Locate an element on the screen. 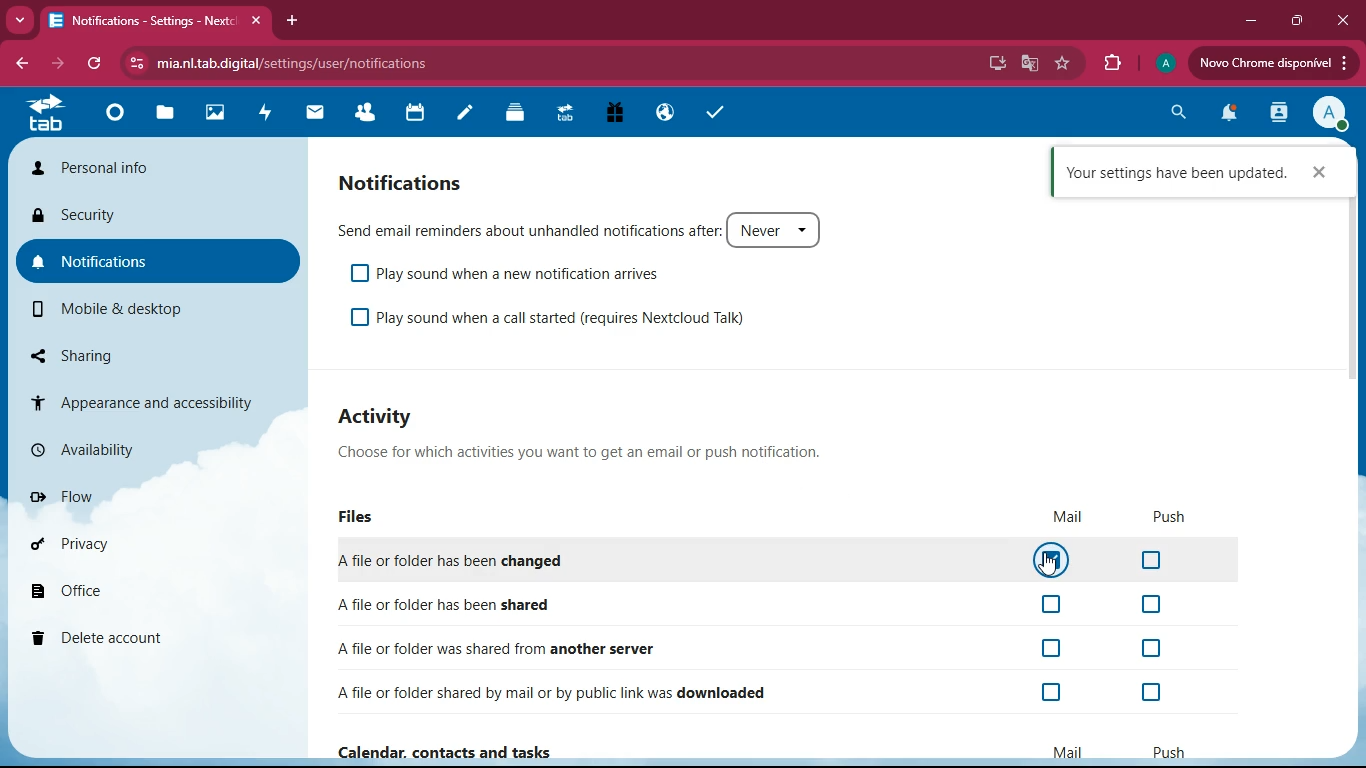 The image size is (1366, 768). google translate is located at coordinates (1032, 63).